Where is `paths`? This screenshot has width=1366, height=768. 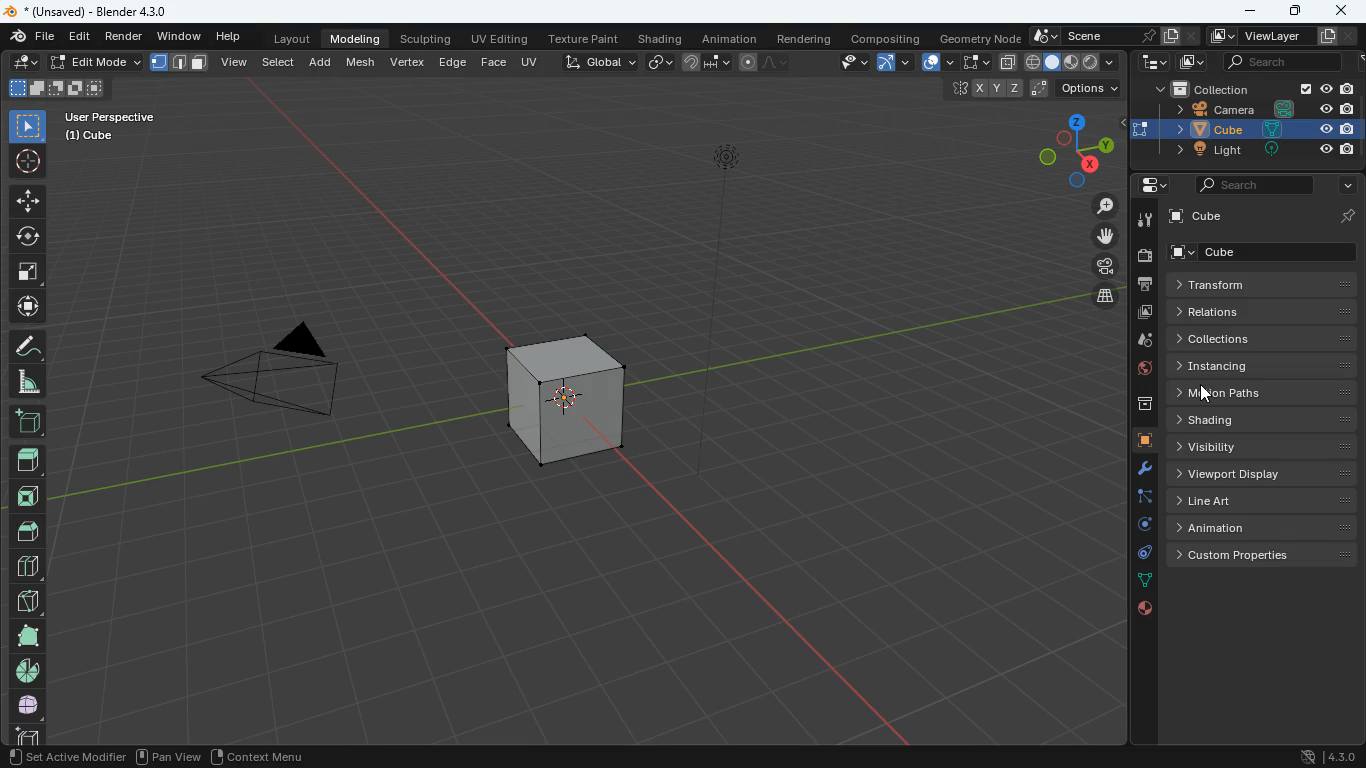
paths is located at coordinates (1264, 392).